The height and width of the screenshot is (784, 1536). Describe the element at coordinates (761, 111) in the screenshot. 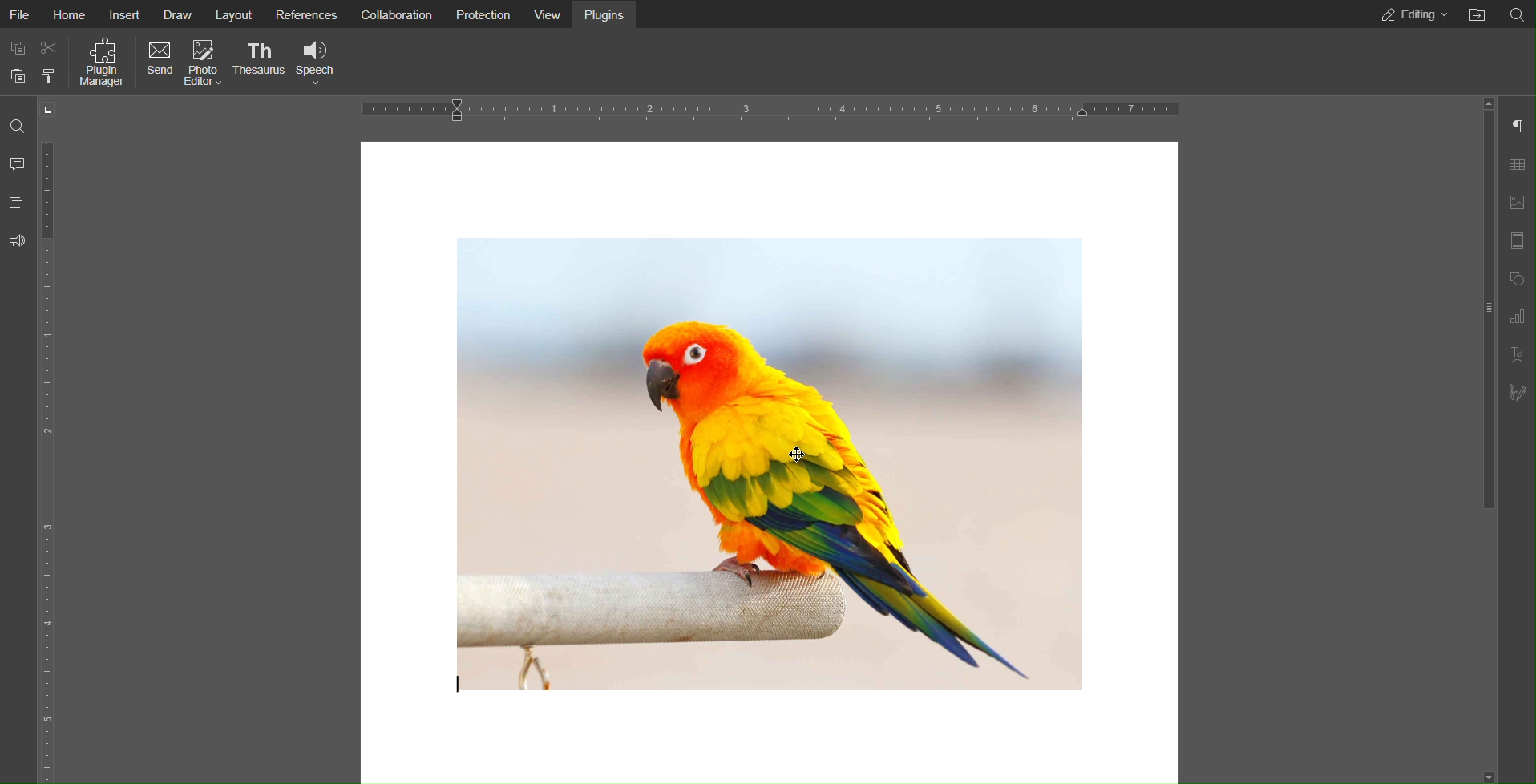

I see `Horizontal Ruler` at that location.